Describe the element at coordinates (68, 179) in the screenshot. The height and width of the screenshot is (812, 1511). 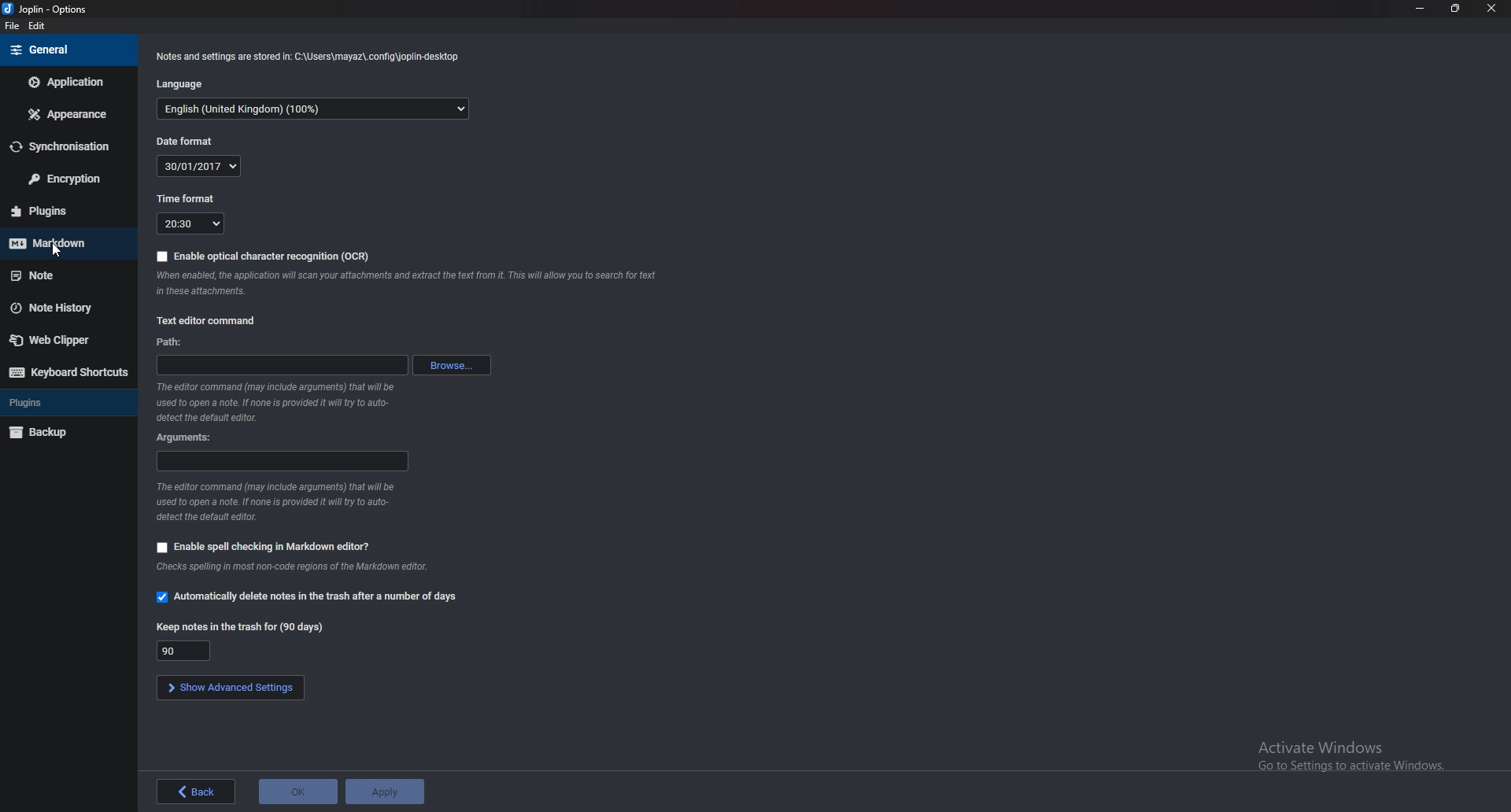
I see `Encryption` at that location.